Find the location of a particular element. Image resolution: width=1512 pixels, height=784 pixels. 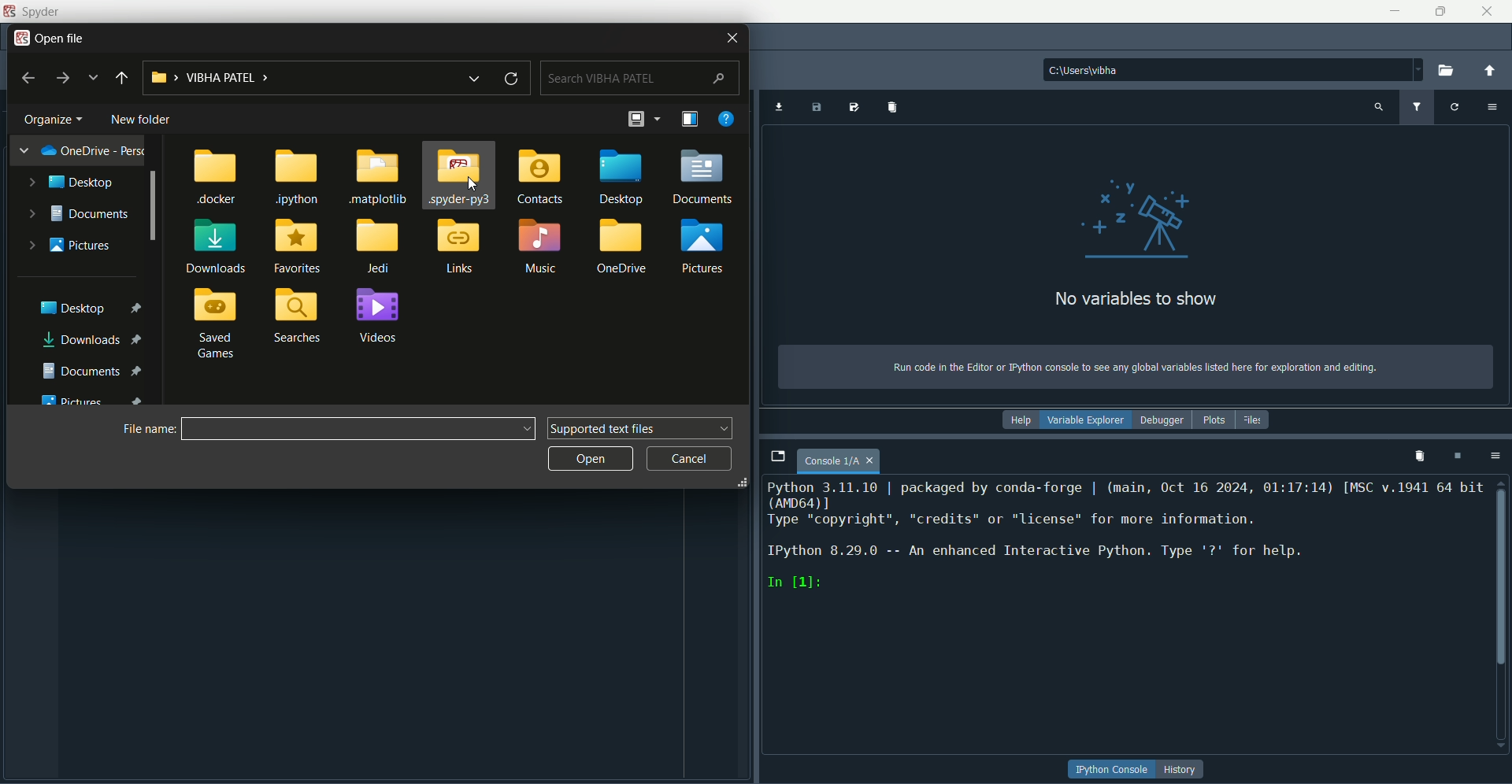

desktop is located at coordinates (72, 183).